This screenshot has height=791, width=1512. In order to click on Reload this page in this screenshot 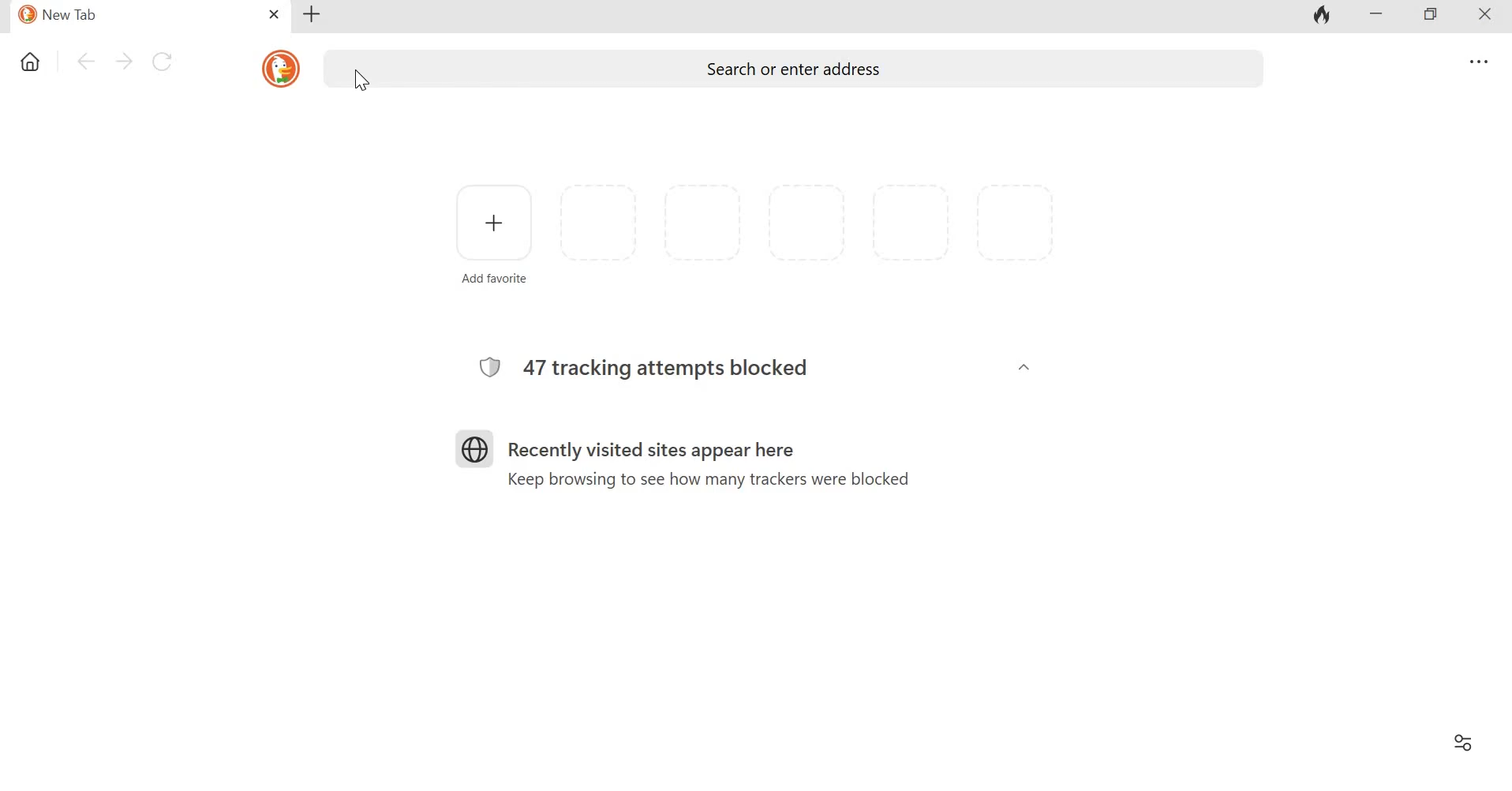, I will do `click(162, 63)`.